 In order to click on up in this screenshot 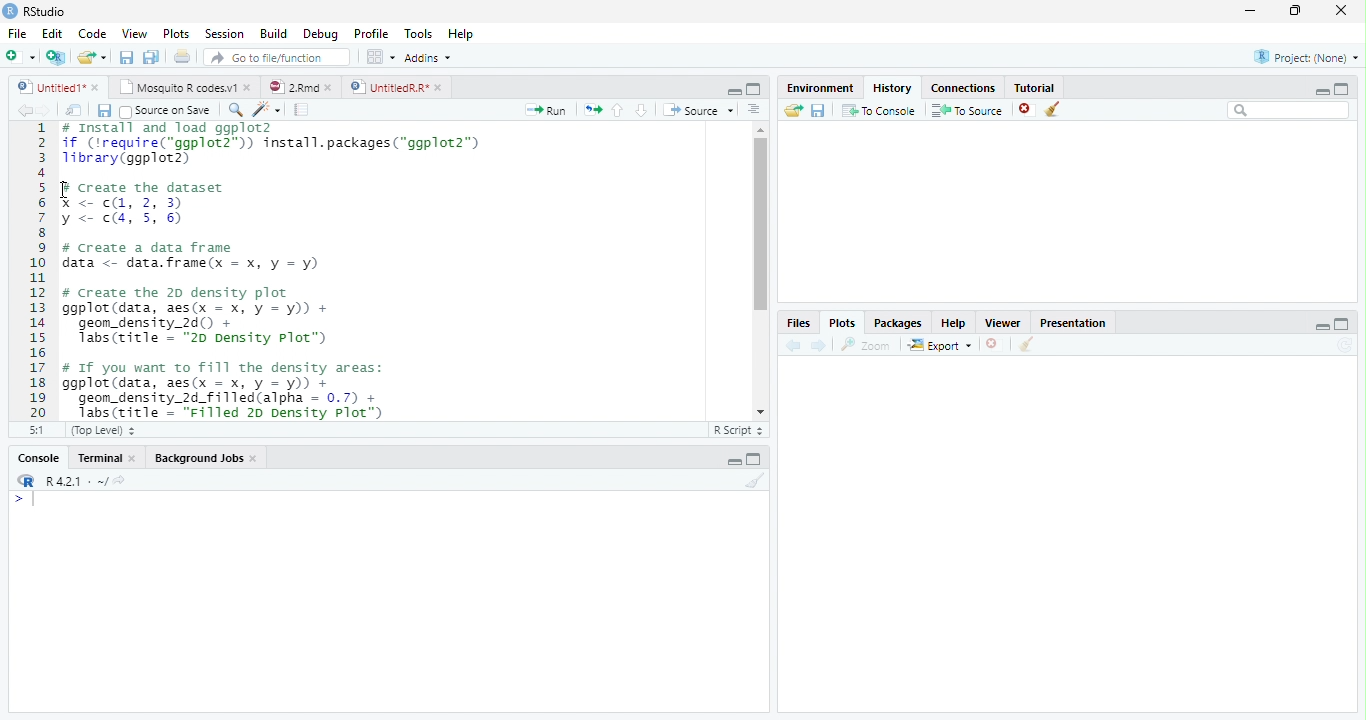, I will do `click(618, 110)`.